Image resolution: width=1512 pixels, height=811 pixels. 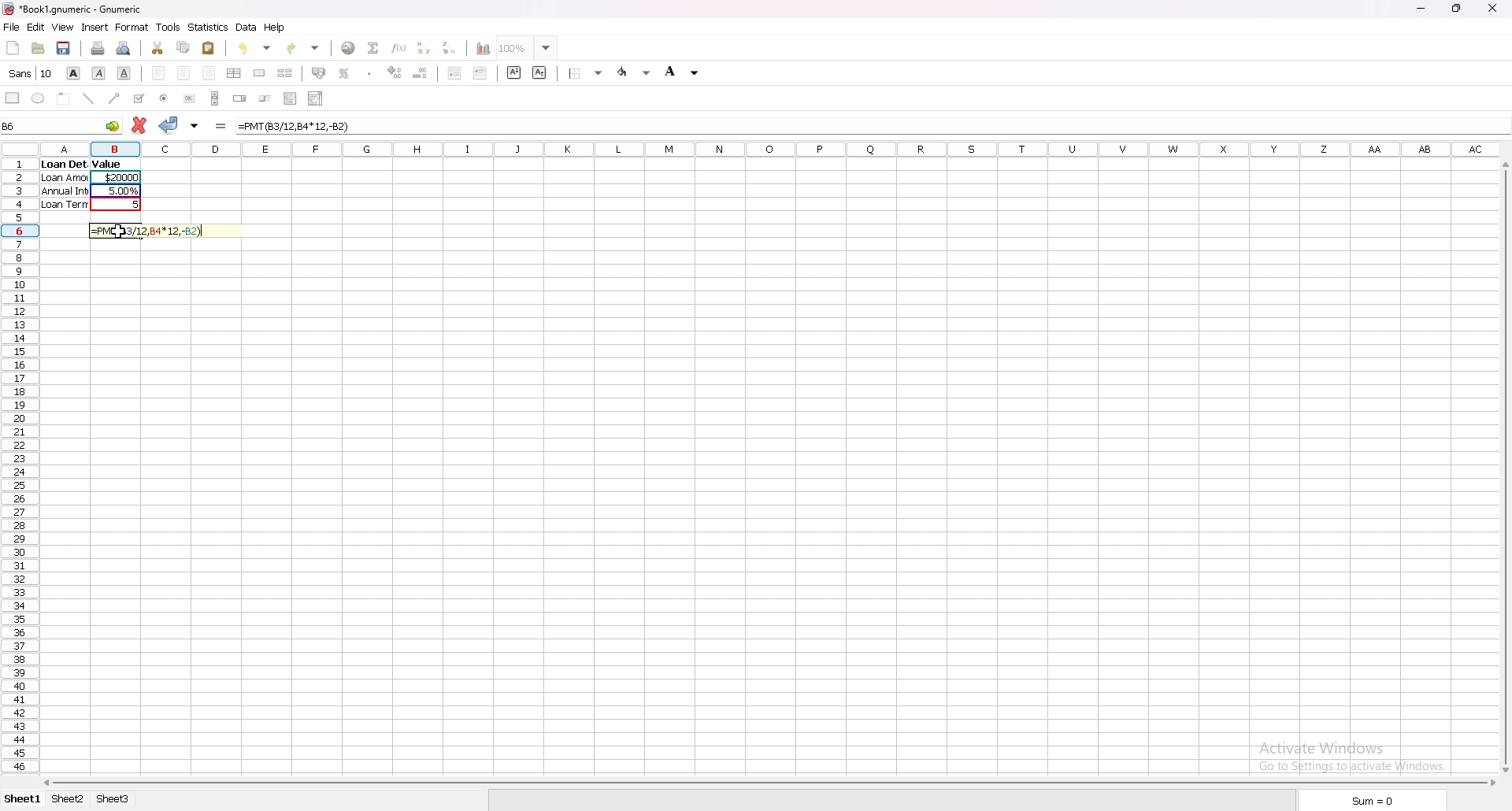 What do you see at coordinates (117, 233) in the screenshot?
I see `cursor` at bounding box center [117, 233].